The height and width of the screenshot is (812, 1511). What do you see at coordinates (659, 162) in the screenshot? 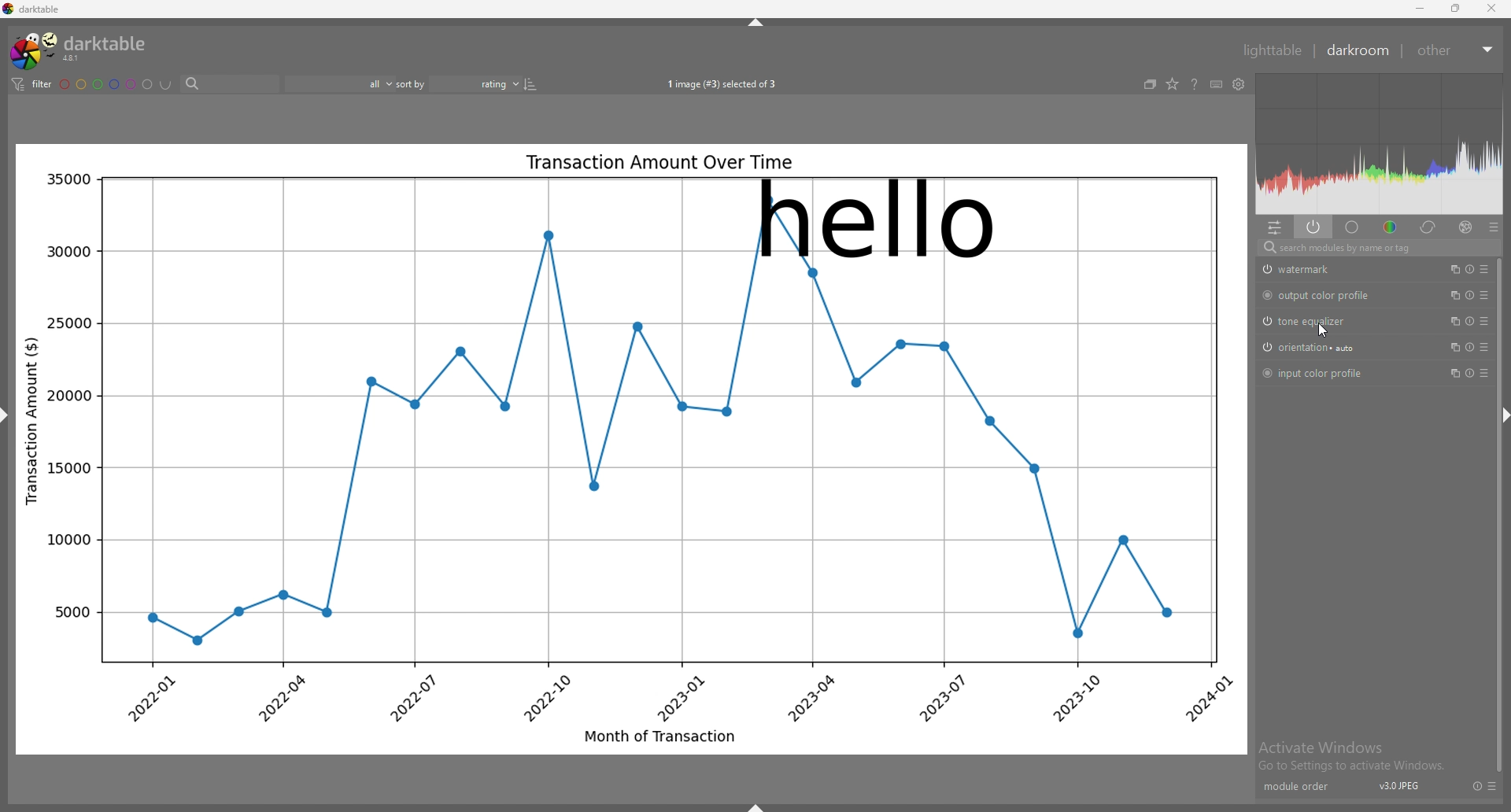
I see `Transaction Amount Over Time` at bounding box center [659, 162].